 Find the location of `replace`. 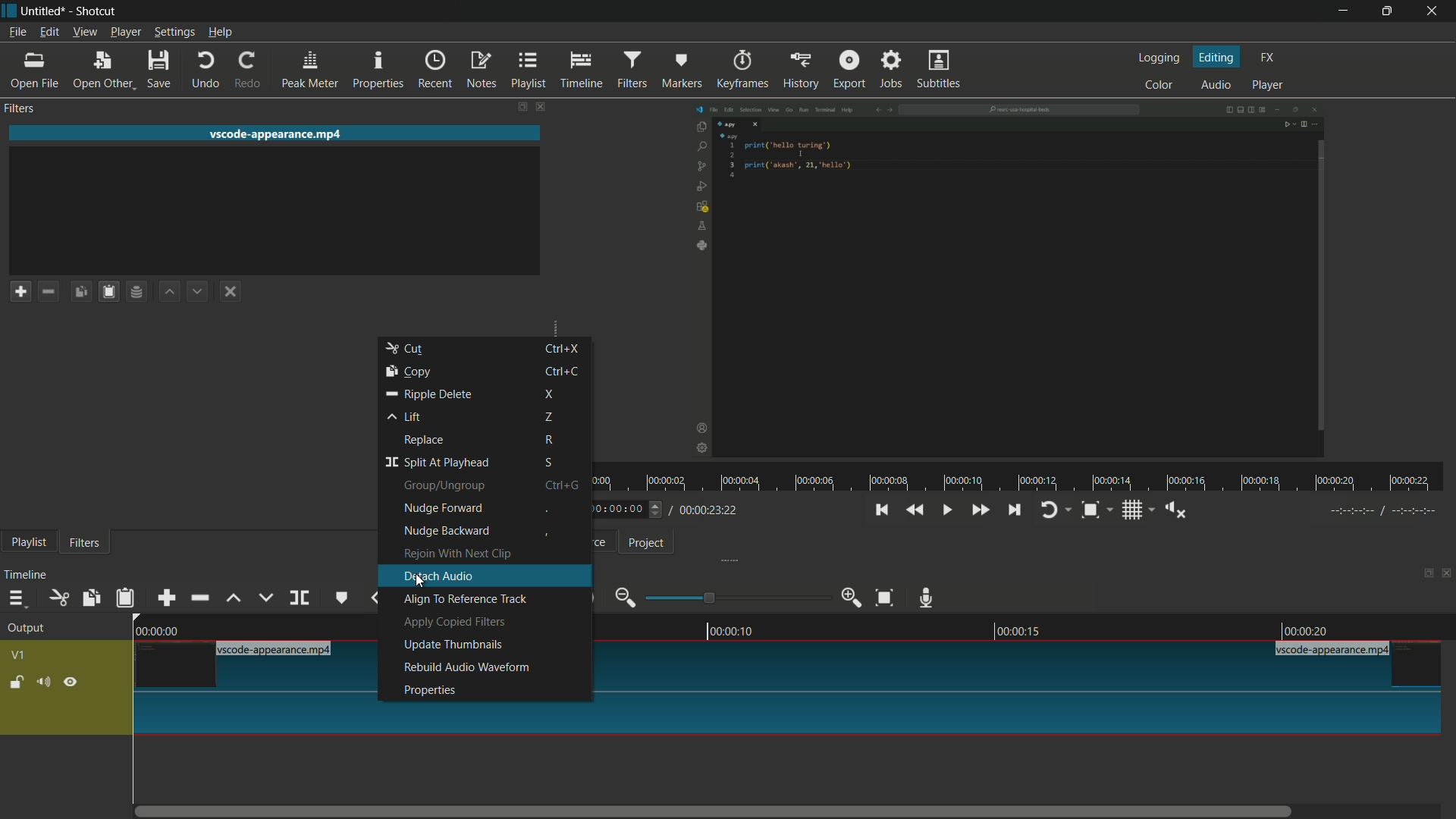

replace is located at coordinates (425, 440).